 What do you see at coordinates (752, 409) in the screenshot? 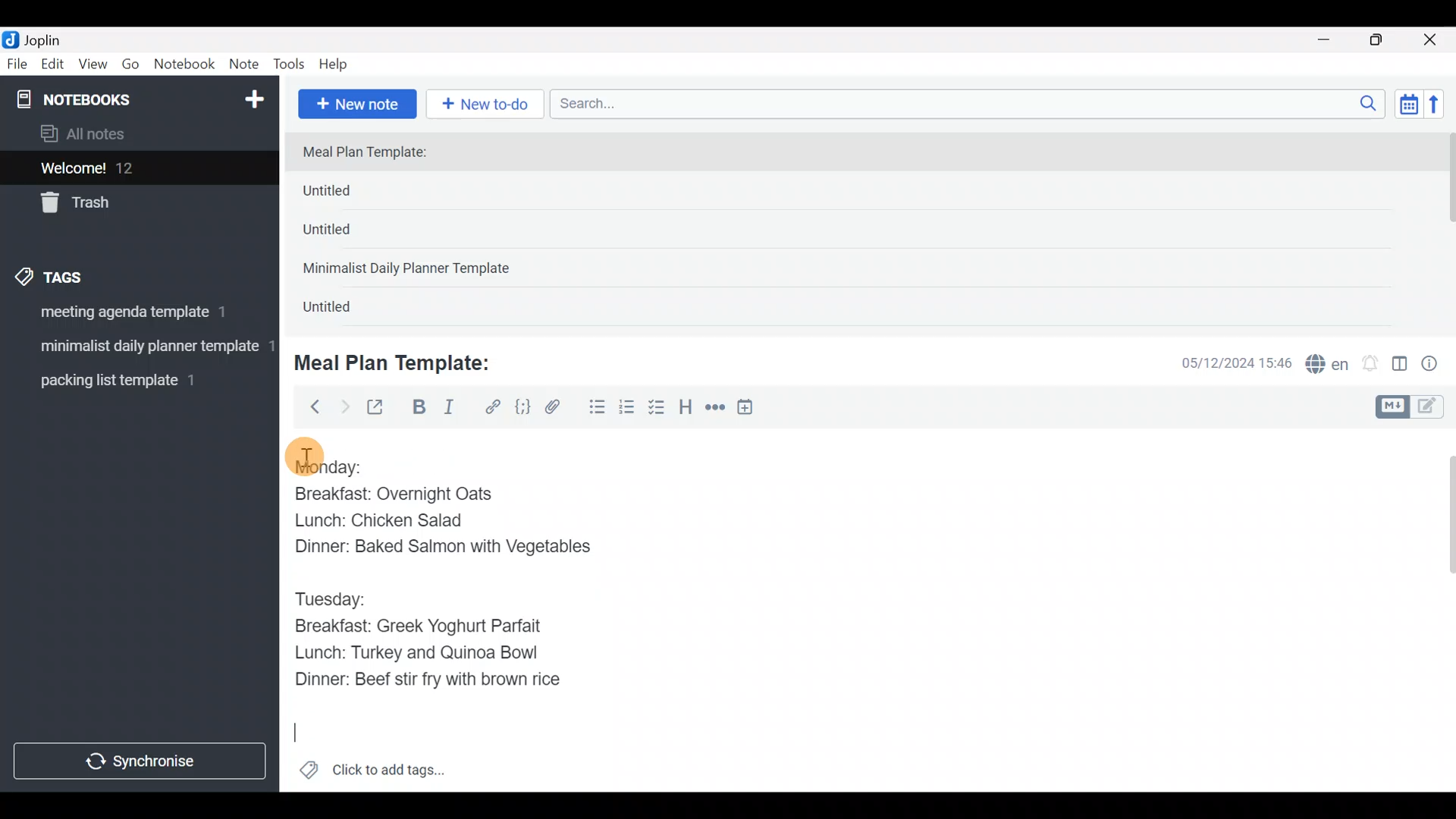
I see `Insert time` at bounding box center [752, 409].